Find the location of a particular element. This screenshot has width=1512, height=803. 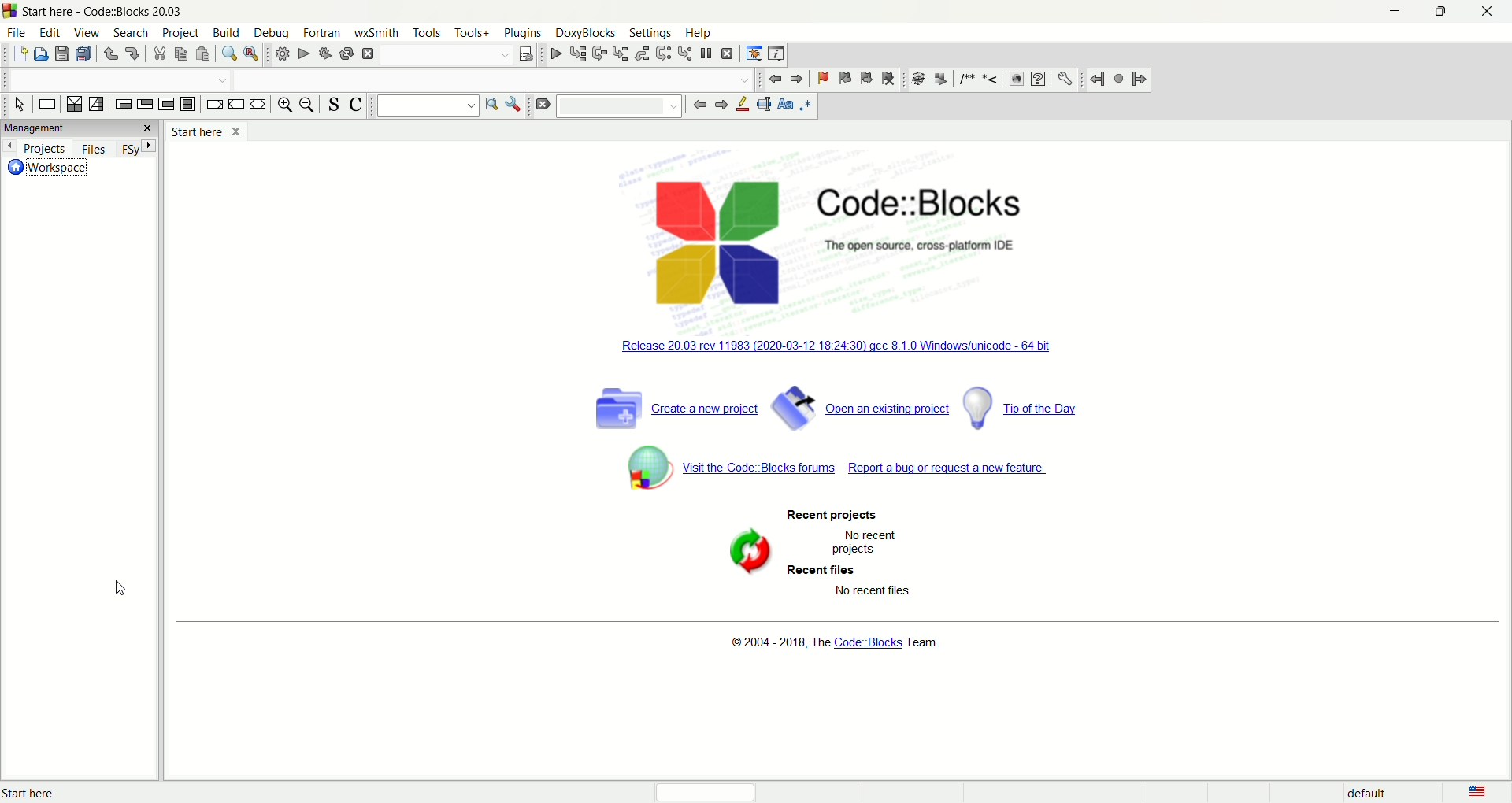

break debugger is located at coordinates (706, 54).